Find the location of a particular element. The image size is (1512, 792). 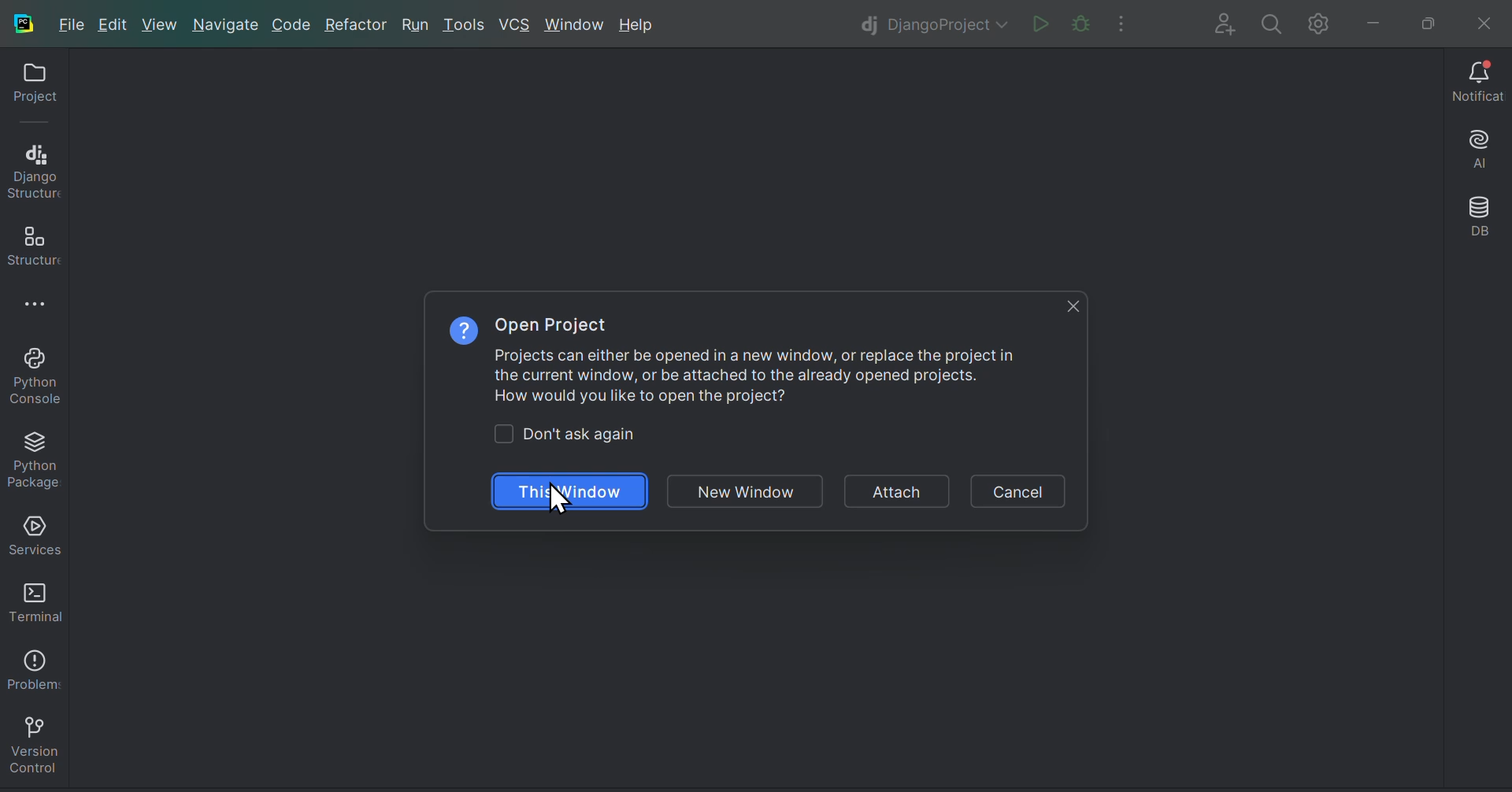

search is located at coordinates (1268, 21).